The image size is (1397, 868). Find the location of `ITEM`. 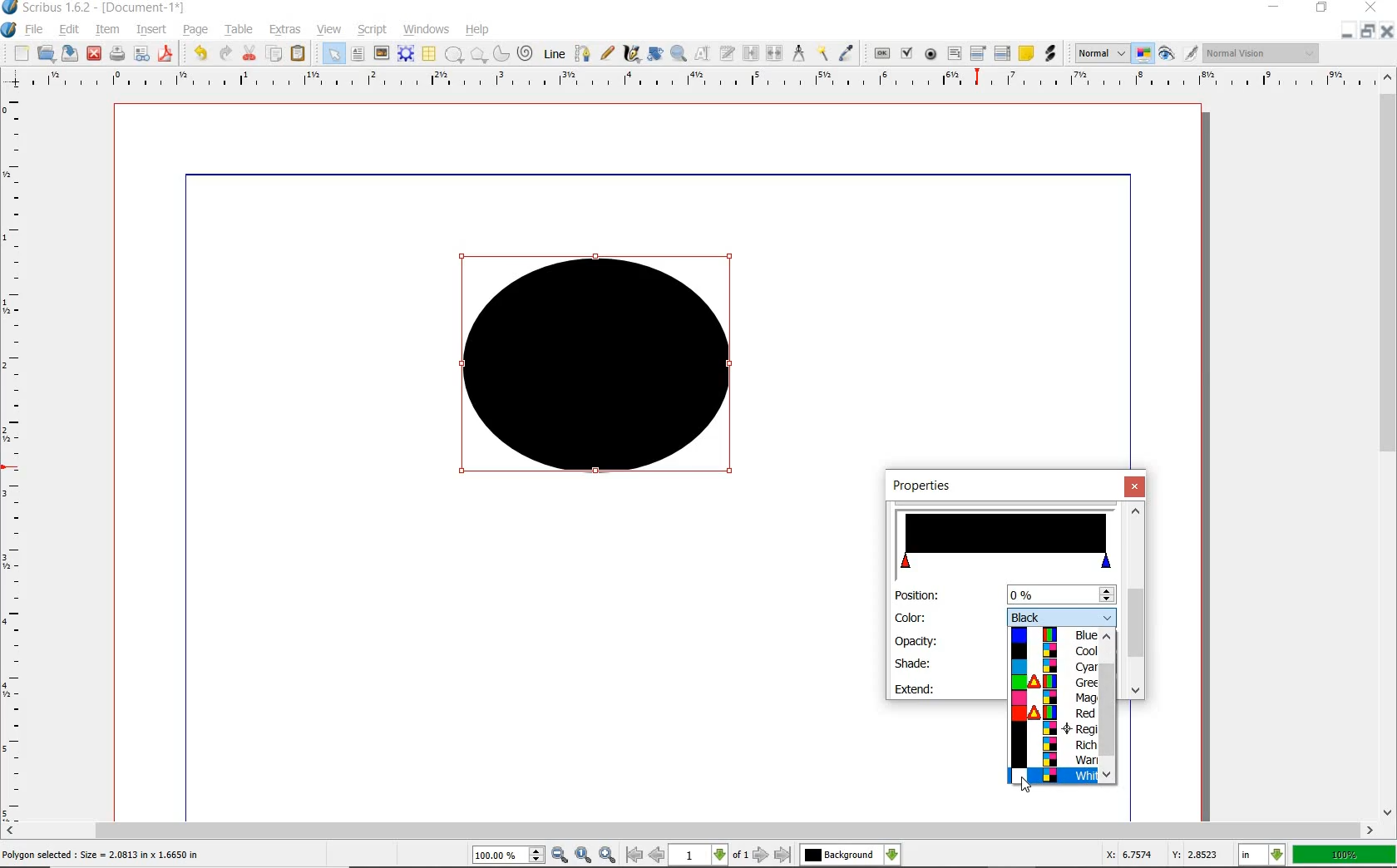

ITEM is located at coordinates (108, 28).